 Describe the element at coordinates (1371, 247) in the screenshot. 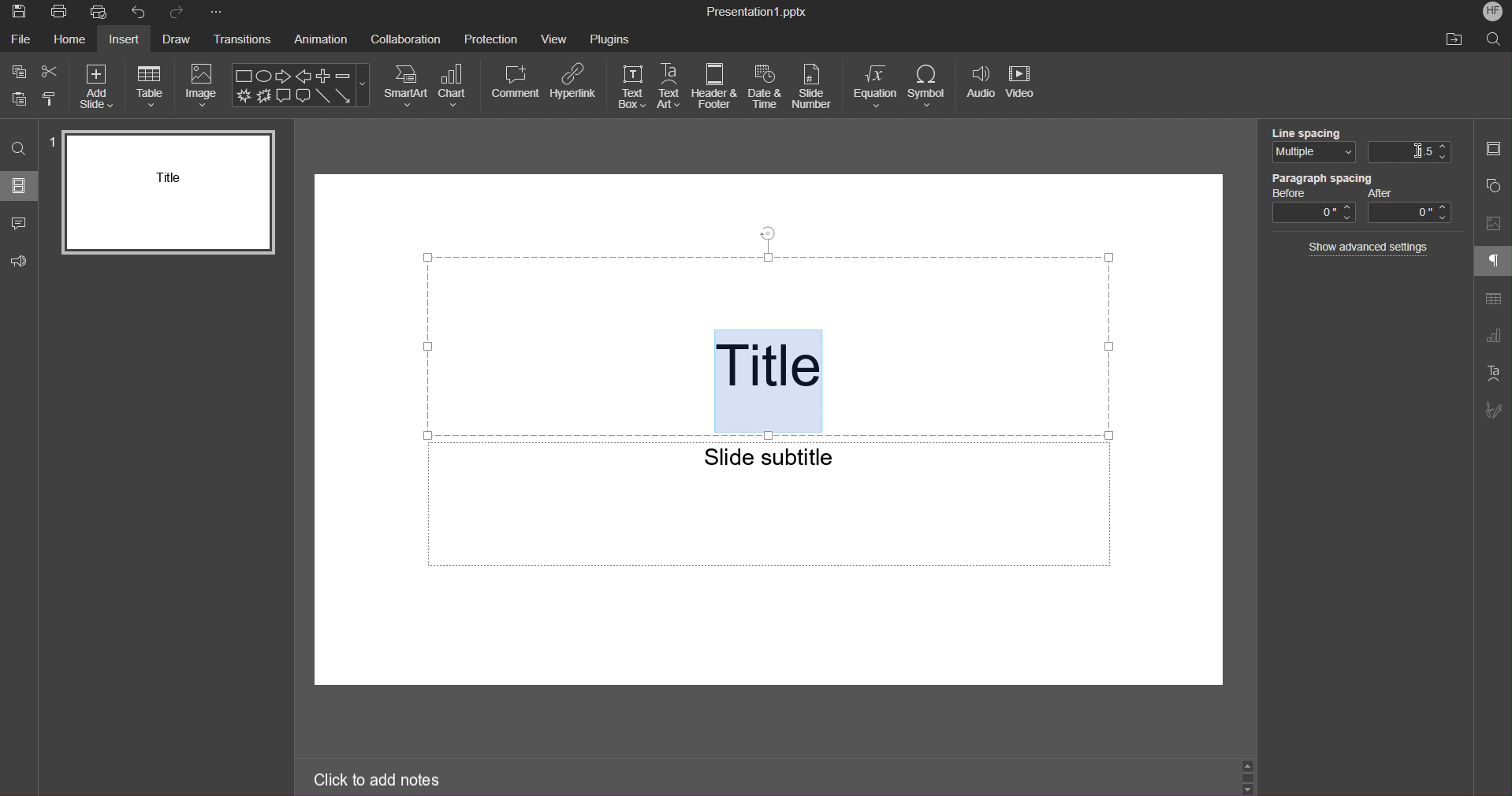

I see `Show advanced settings` at that location.